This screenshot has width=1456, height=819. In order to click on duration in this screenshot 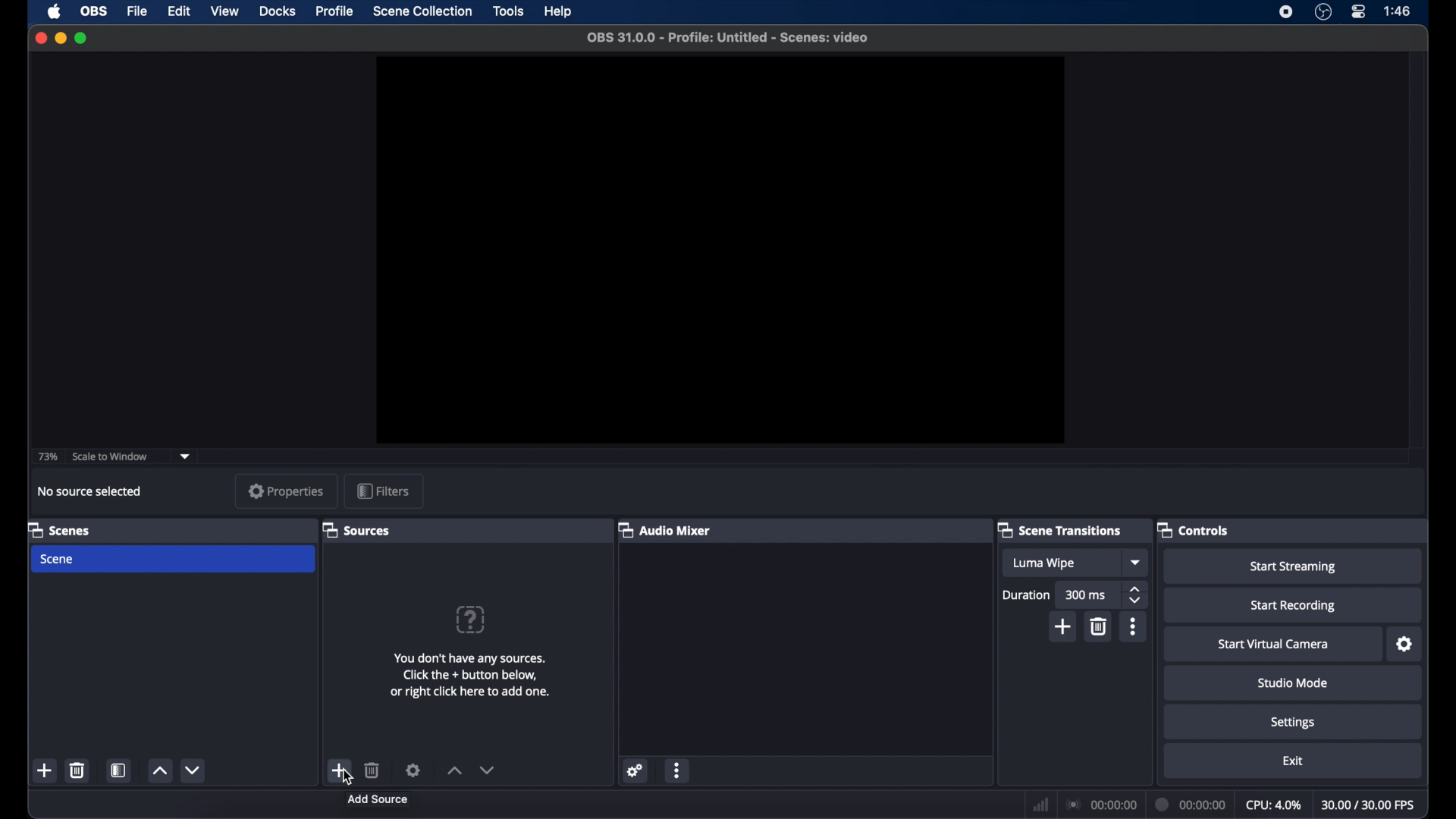, I will do `click(1192, 805)`.